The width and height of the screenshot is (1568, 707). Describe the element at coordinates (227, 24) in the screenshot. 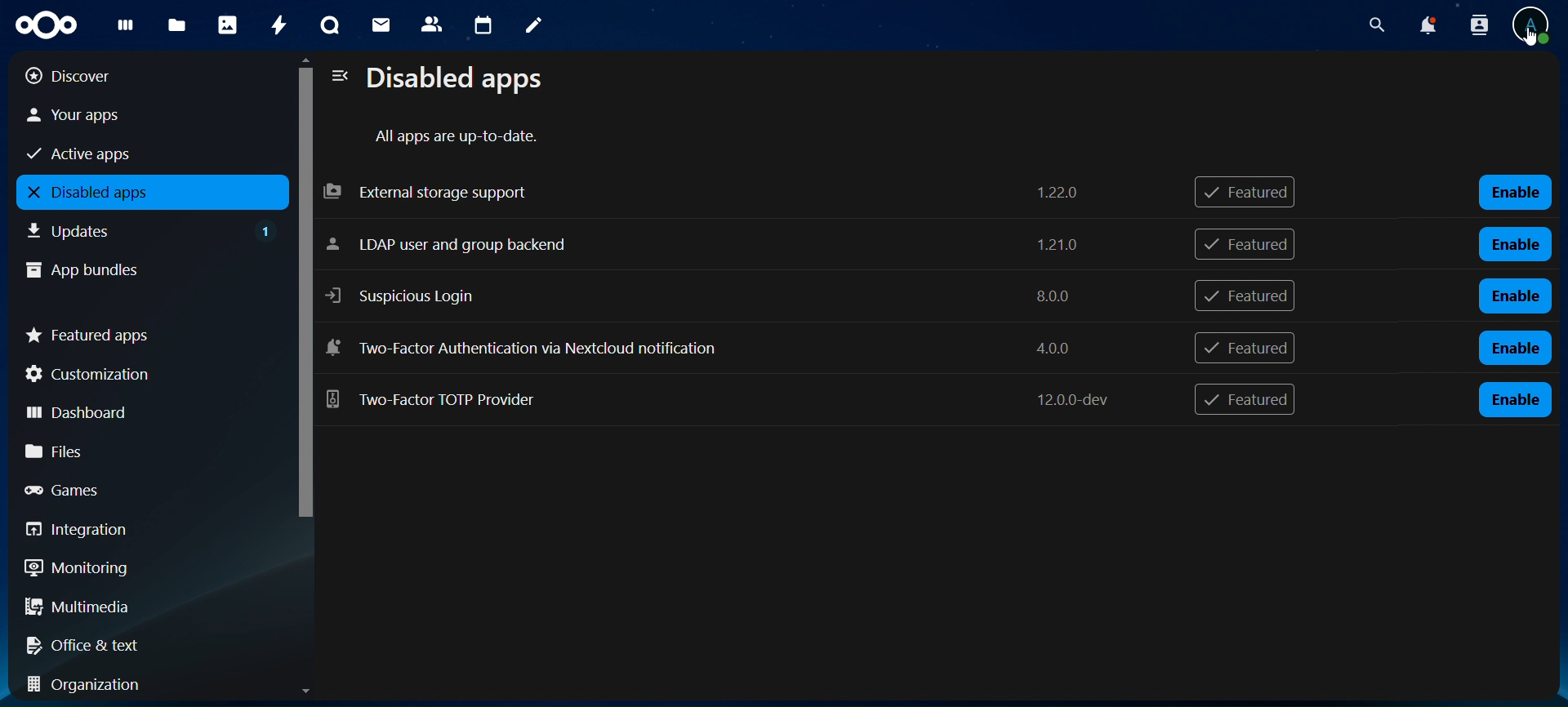

I see `photos` at that location.